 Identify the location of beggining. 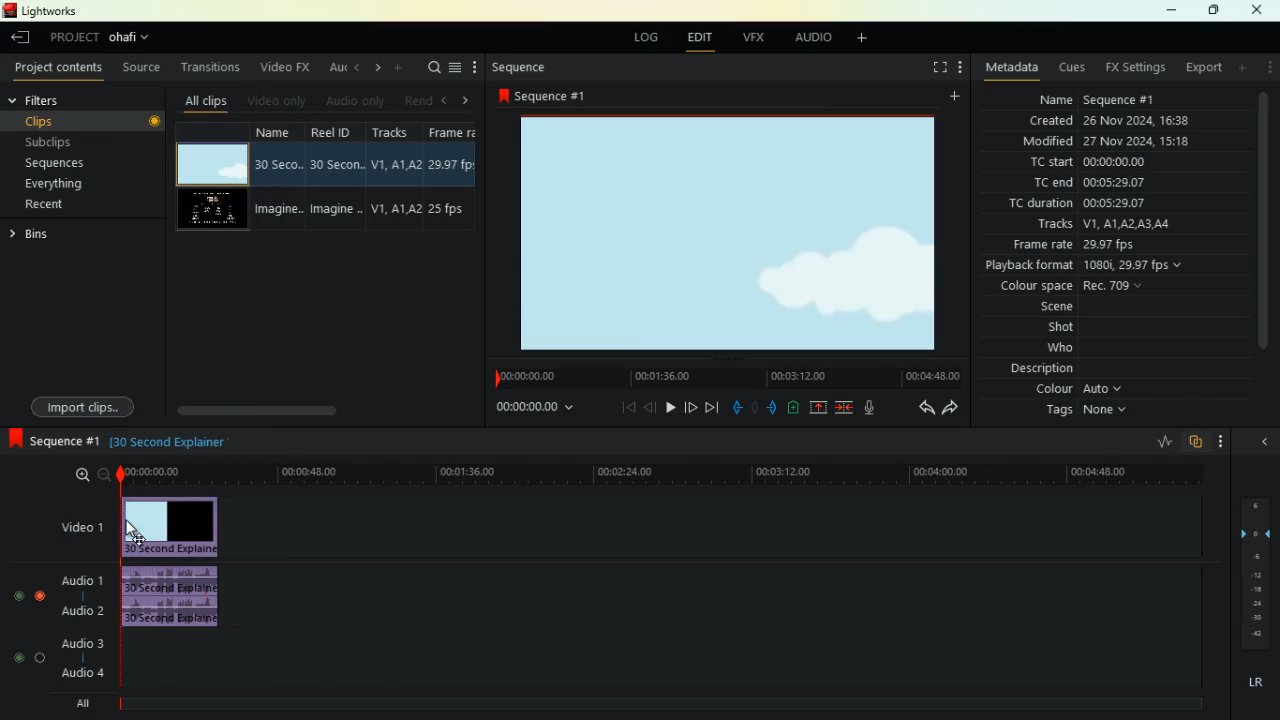
(620, 407).